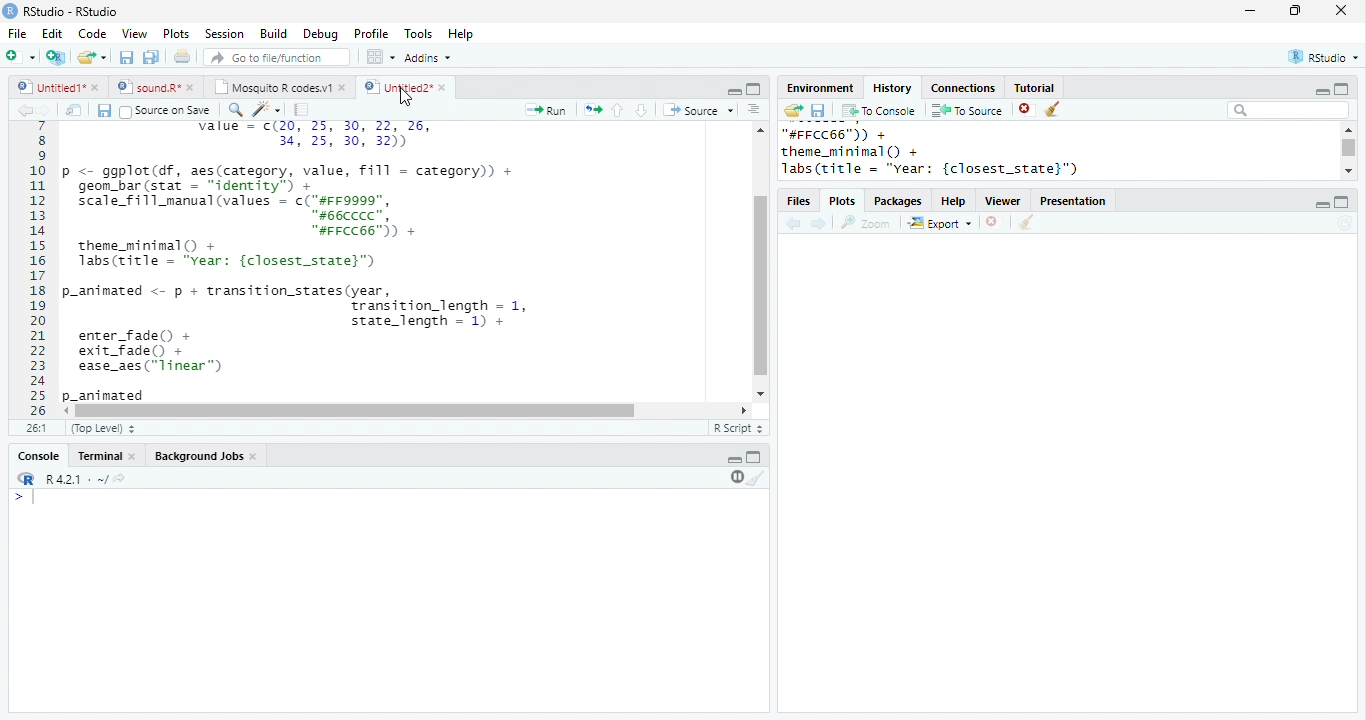 The height and width of the screenshot is (720, 1366). I want to click on close, so click(1341, 10).